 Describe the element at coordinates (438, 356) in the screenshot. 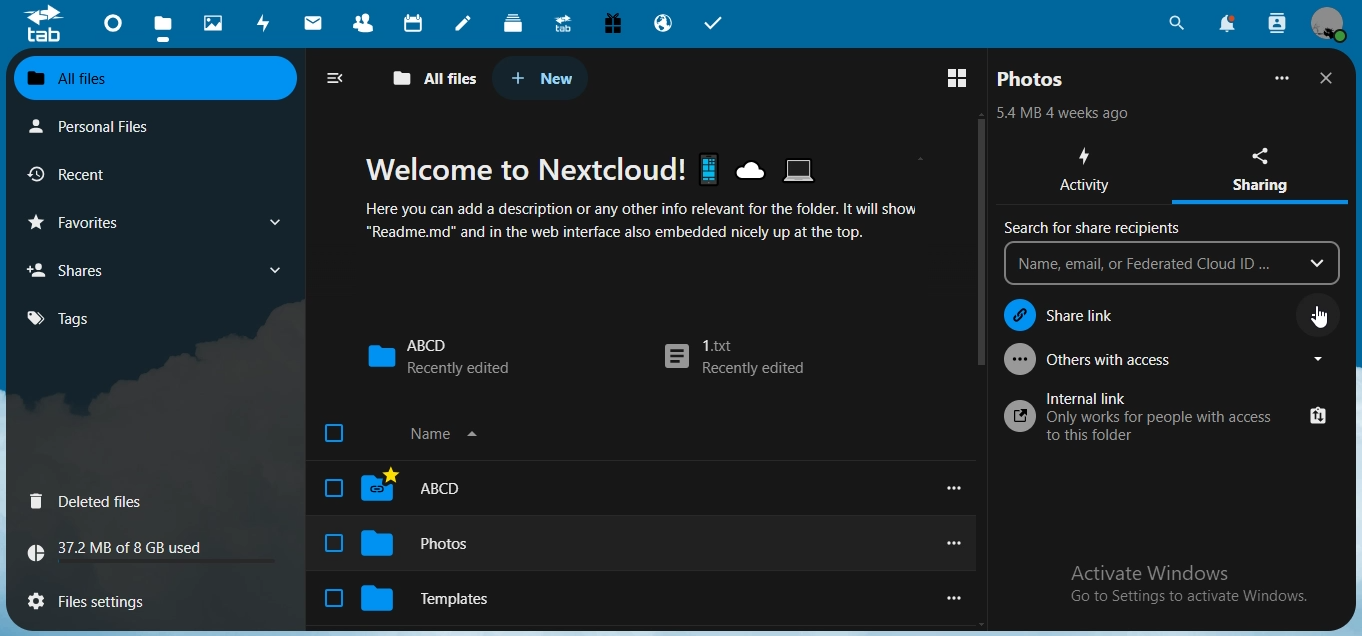

I see `ABCD` at that location.